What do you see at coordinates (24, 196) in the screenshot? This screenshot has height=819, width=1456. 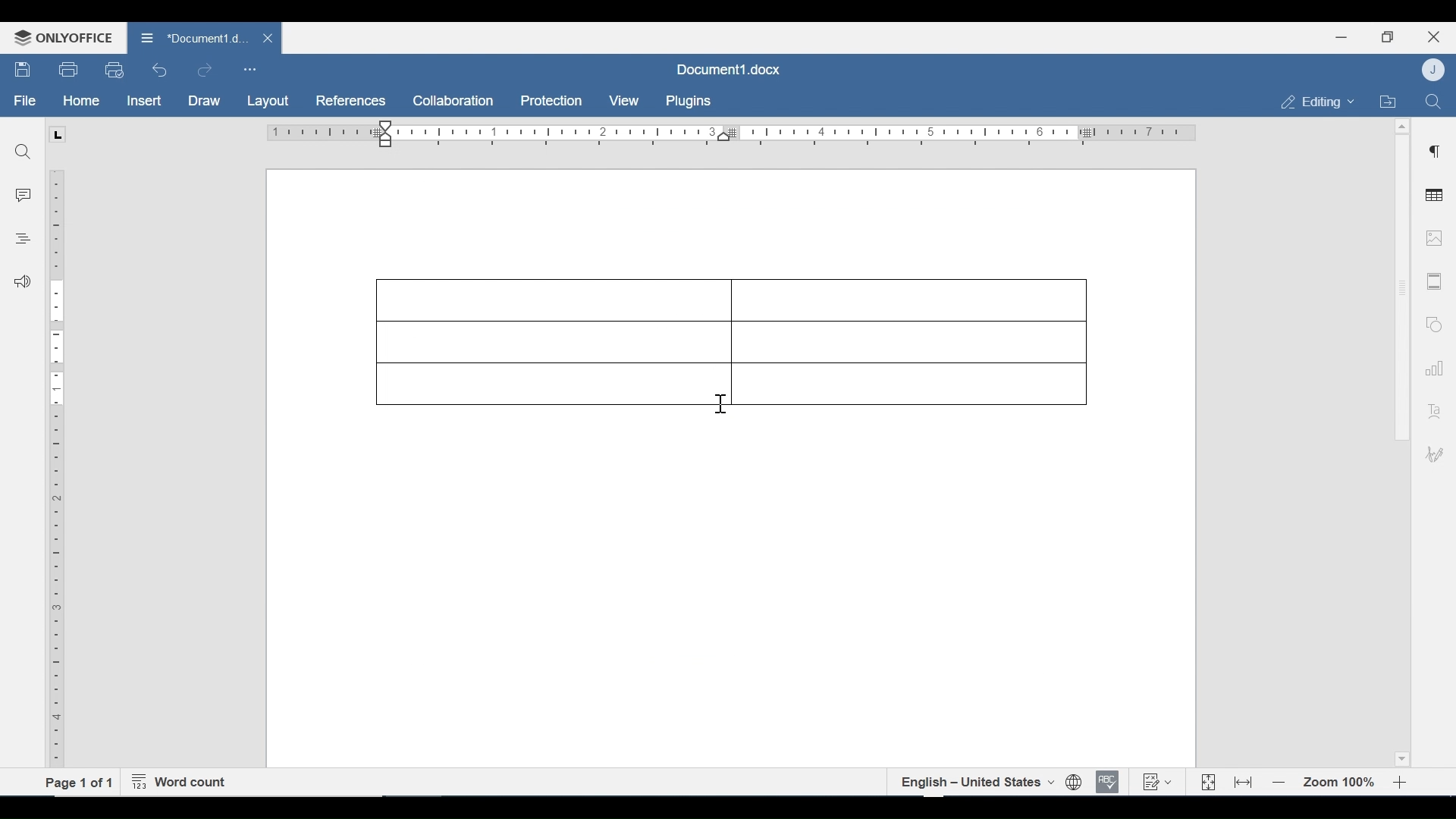 I see `Comment` at bounding box center [24, 196].